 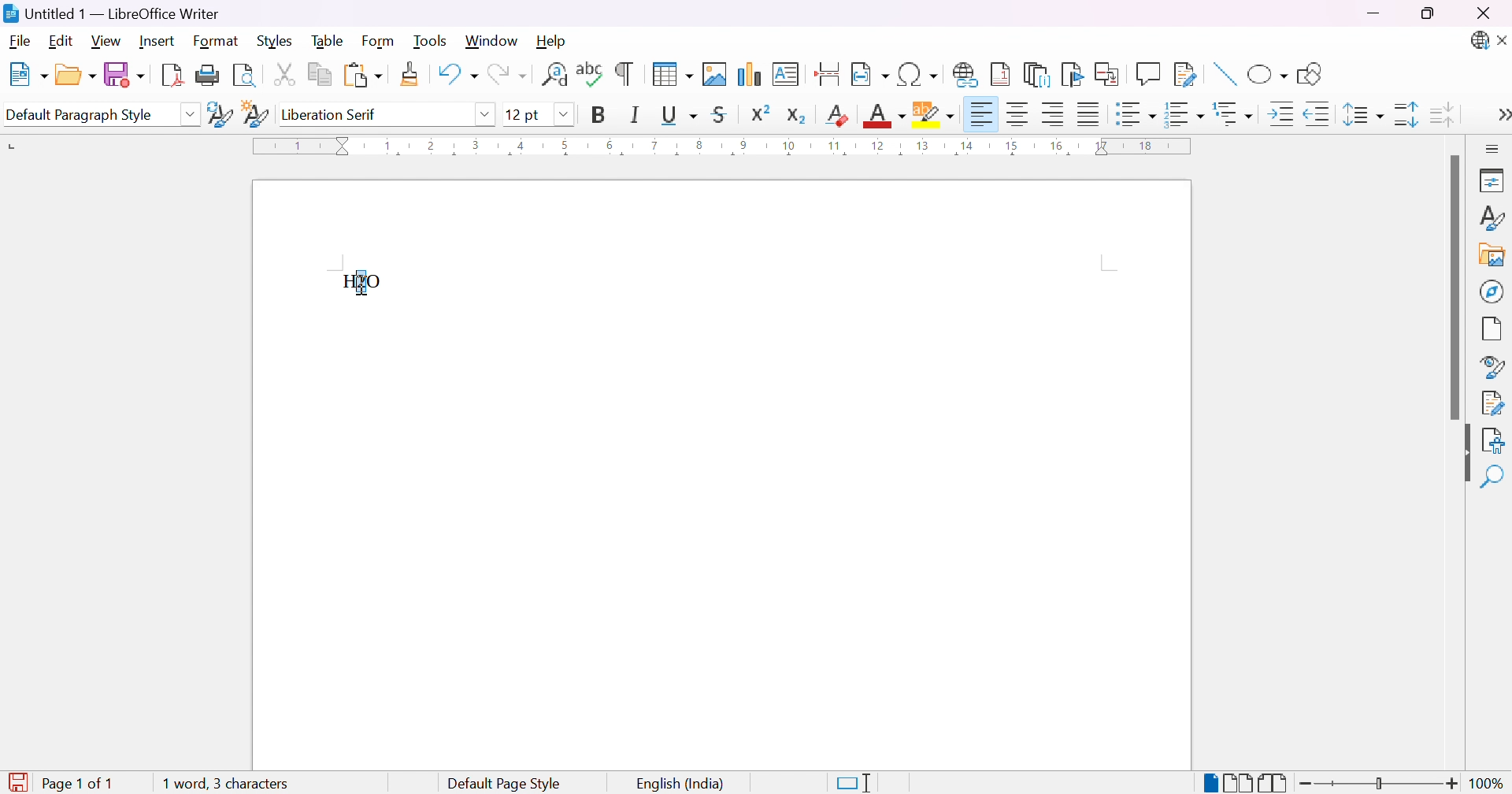 What do you see at coordinates (869, 75) in the screenshot?
I see `Insert field` at bounding box center [869, 75].